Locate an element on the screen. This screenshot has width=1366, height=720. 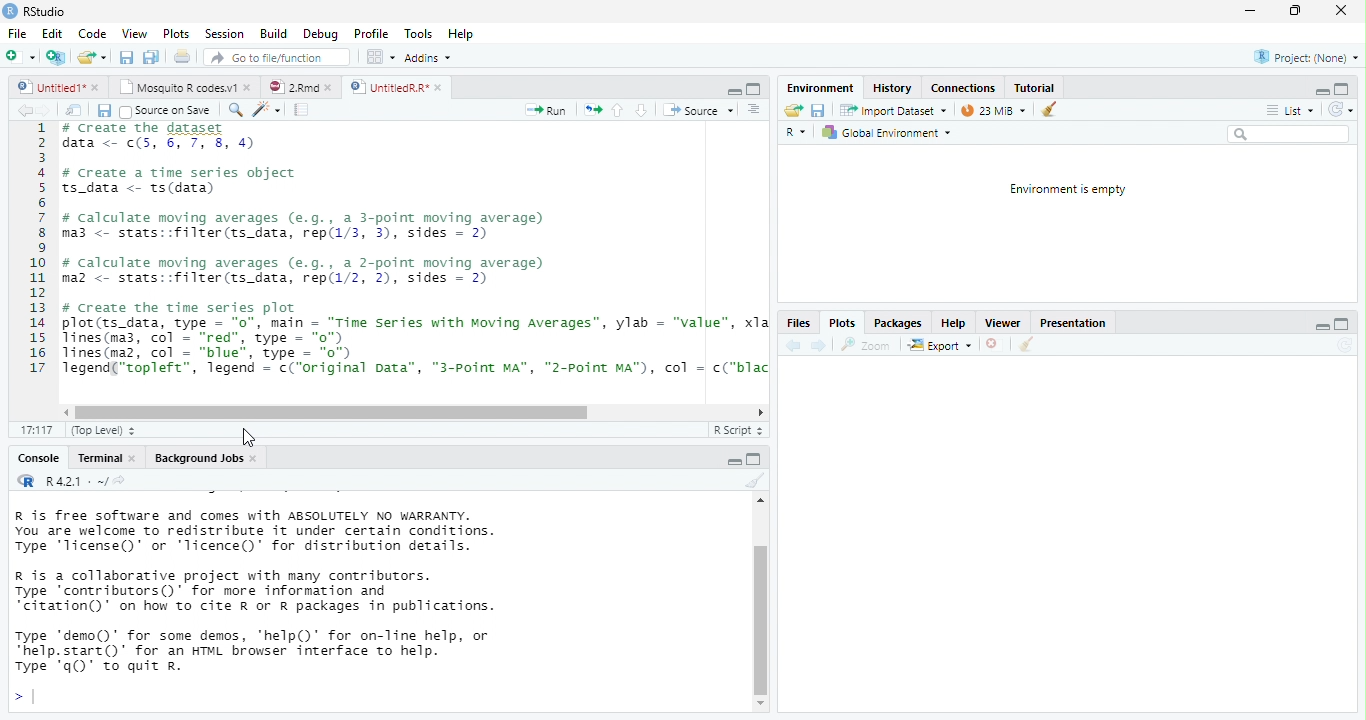
maximize is located at coordinates (1295, 11).